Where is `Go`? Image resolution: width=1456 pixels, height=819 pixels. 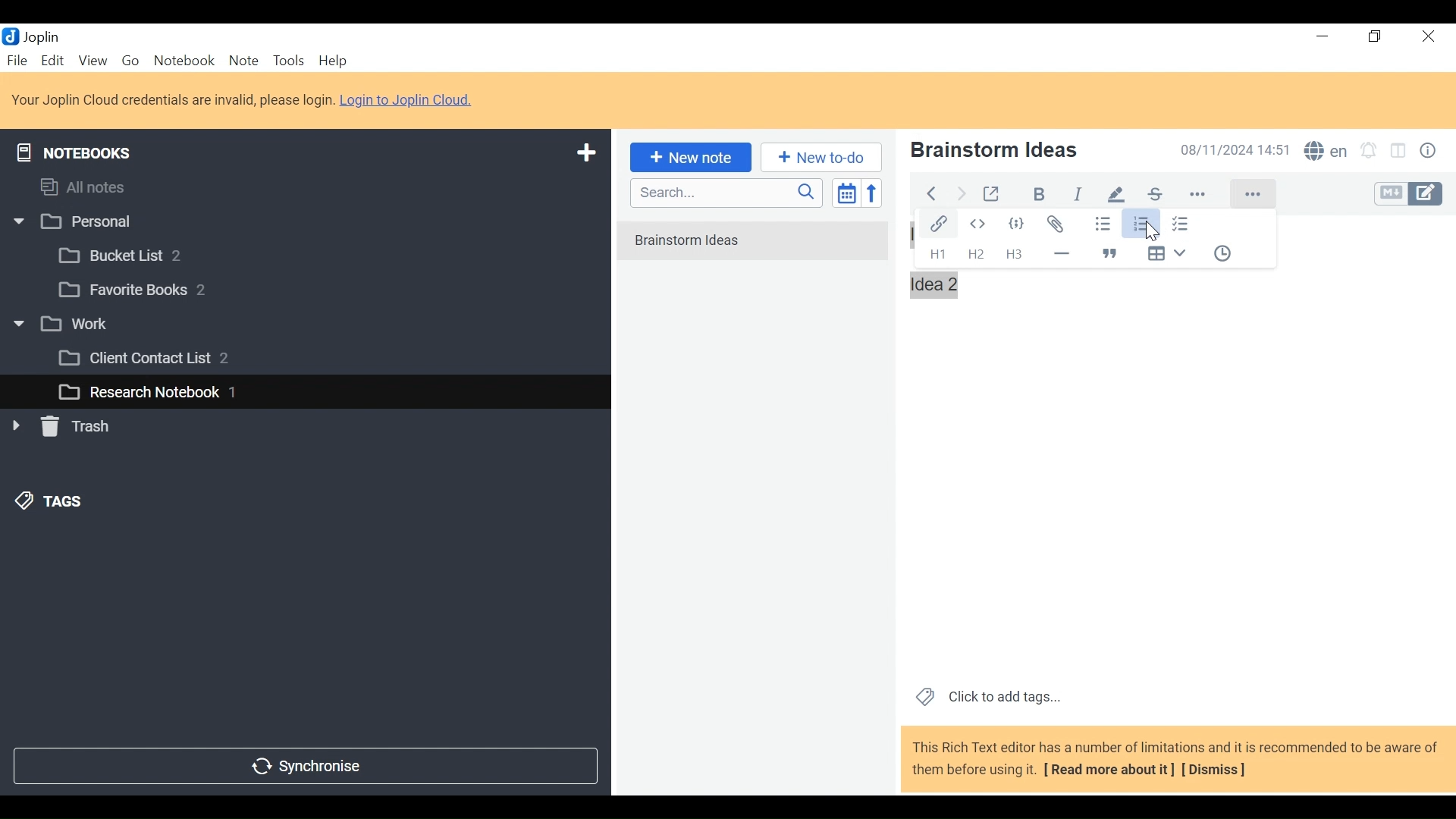
Go is located at coordinates (130, 59).